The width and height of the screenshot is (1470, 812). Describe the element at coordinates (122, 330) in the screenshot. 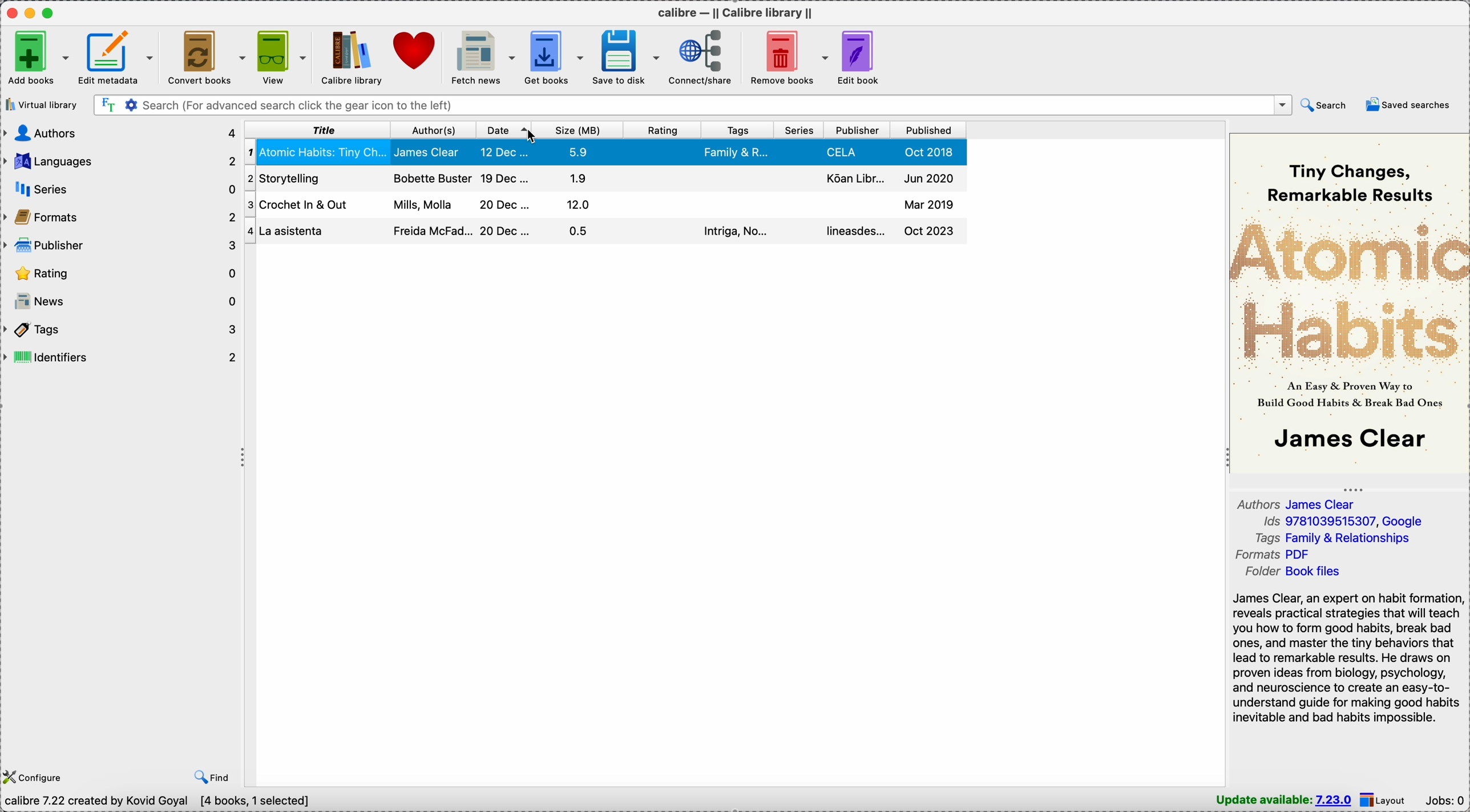

I see `tags` at that location.